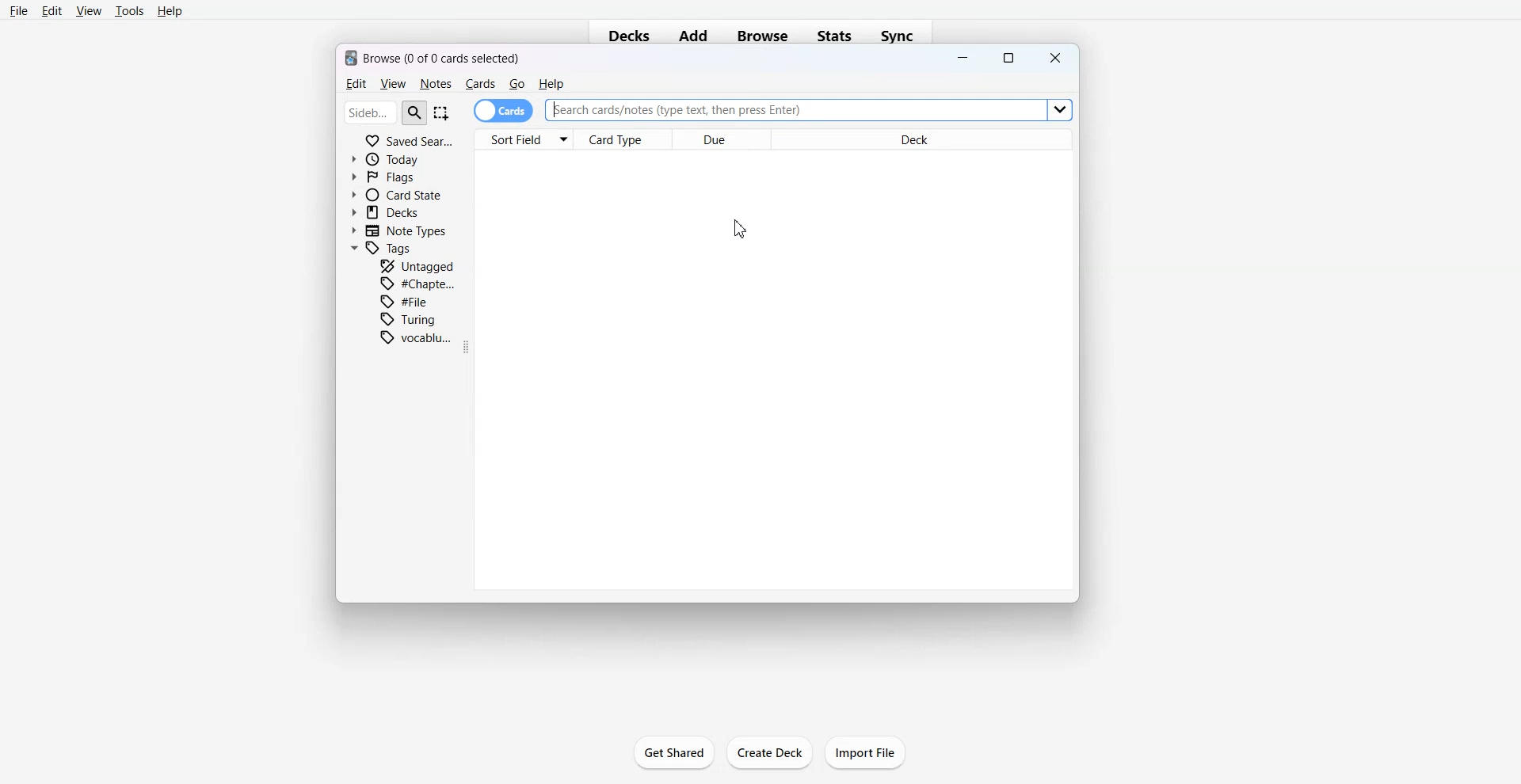 The height and width of the screenshot is (784, 1521). I want to click on Today, so click(389, 159).